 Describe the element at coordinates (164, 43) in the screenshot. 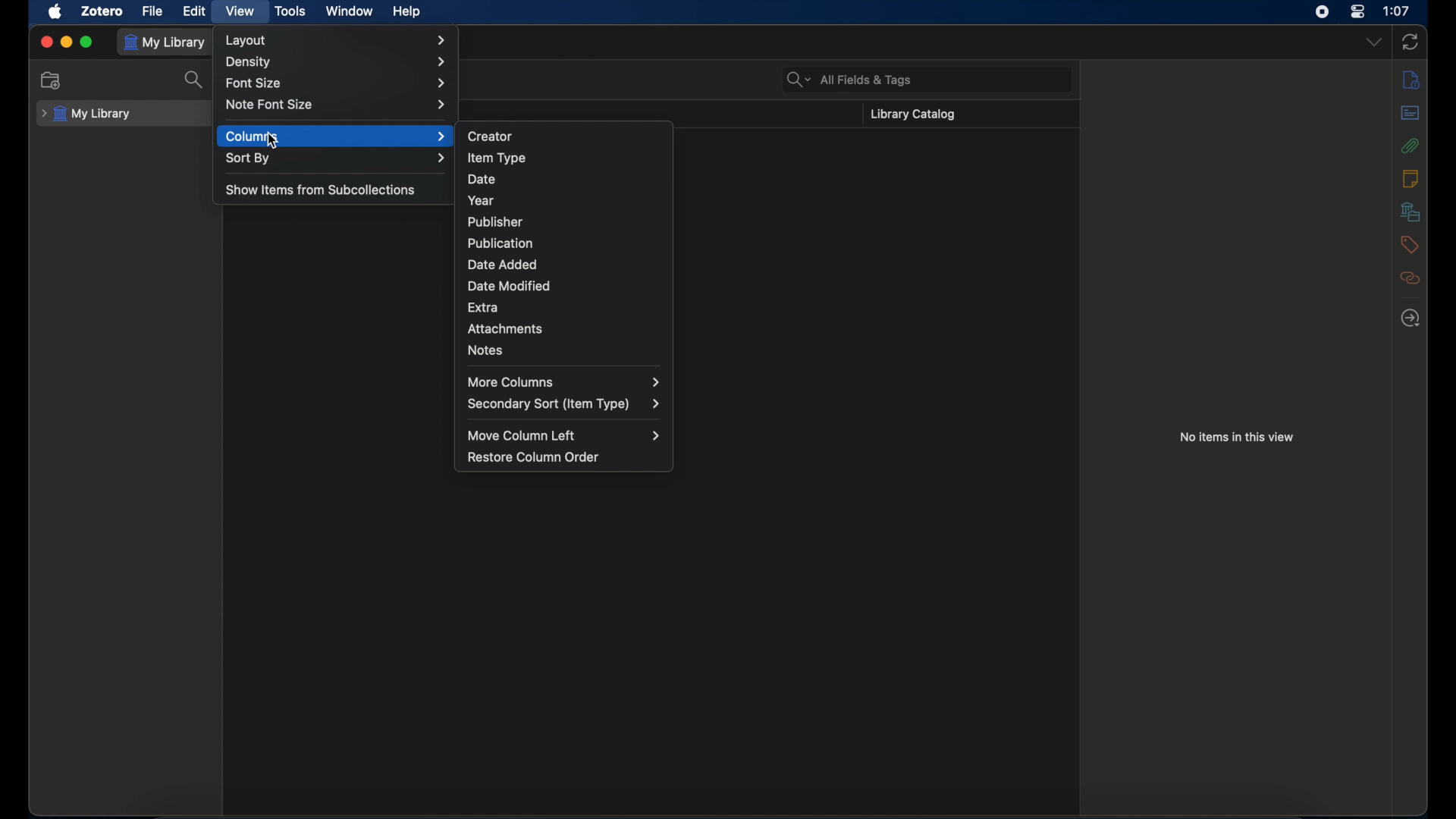

I see `my library` at that location.